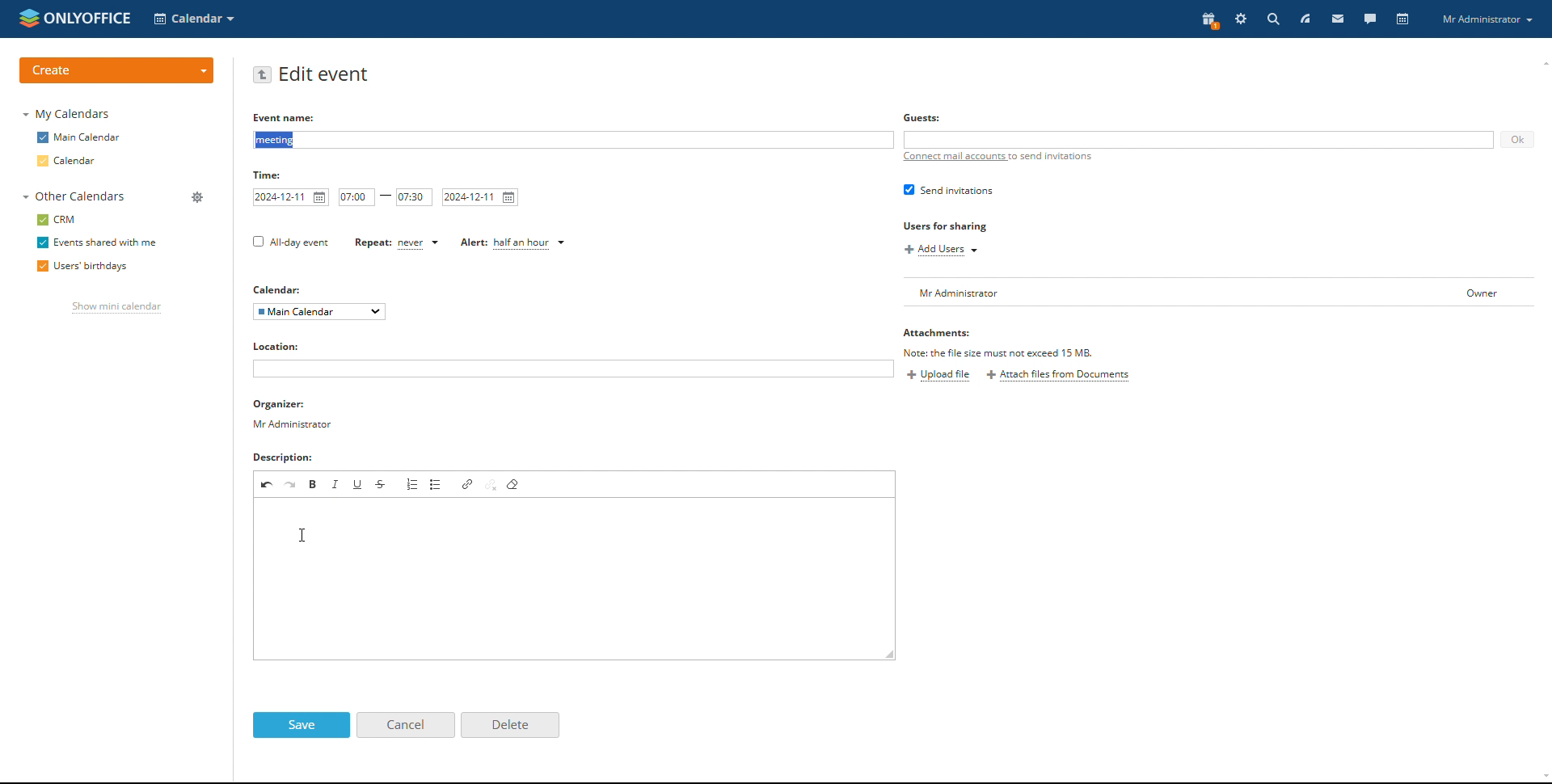 This screenshot has width=1552, height=784. Describe the element at coordinates (268, 175) in the screenshot. I see `Time:` at that location.